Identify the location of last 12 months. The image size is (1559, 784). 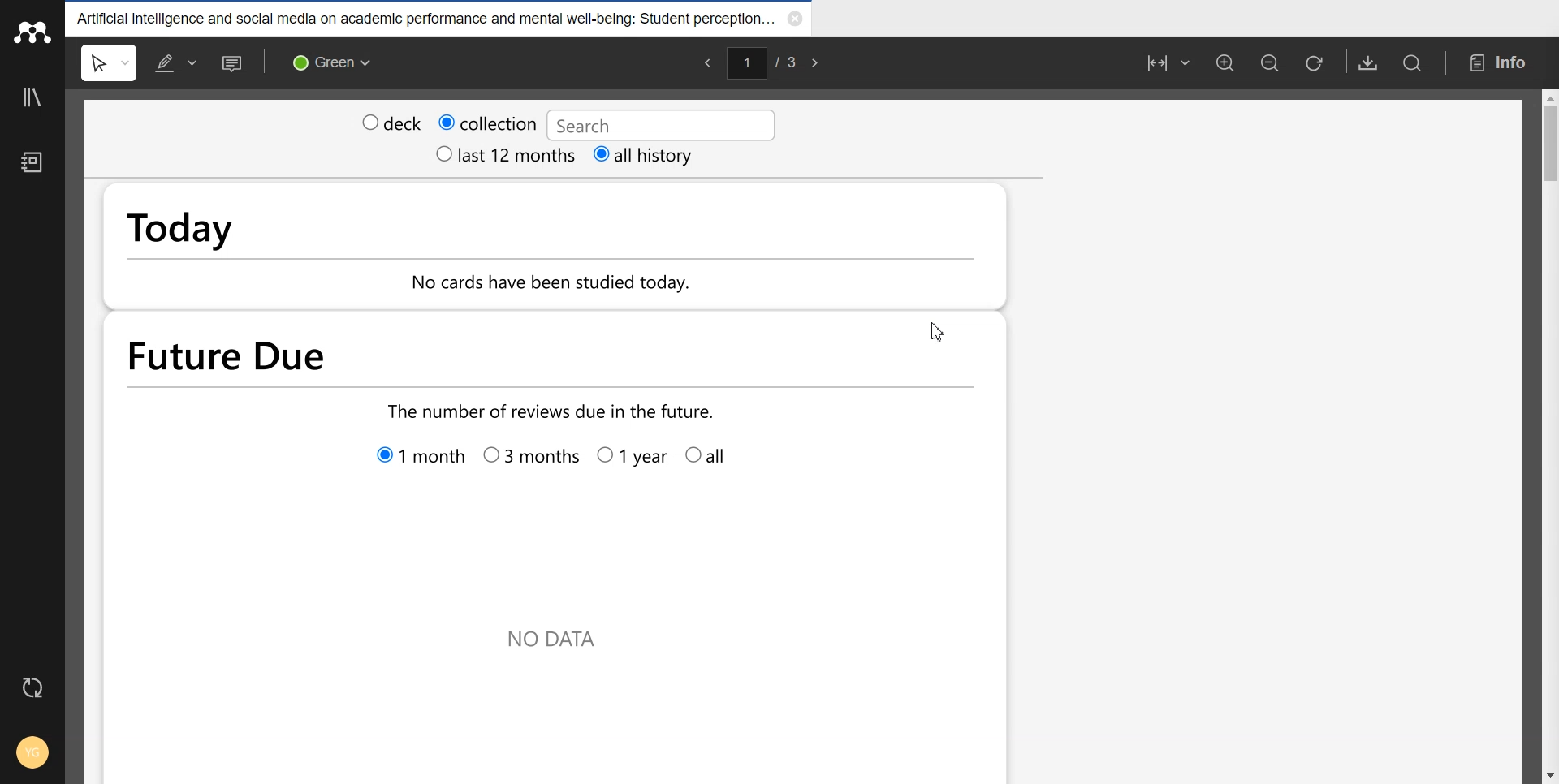
(486, 155).